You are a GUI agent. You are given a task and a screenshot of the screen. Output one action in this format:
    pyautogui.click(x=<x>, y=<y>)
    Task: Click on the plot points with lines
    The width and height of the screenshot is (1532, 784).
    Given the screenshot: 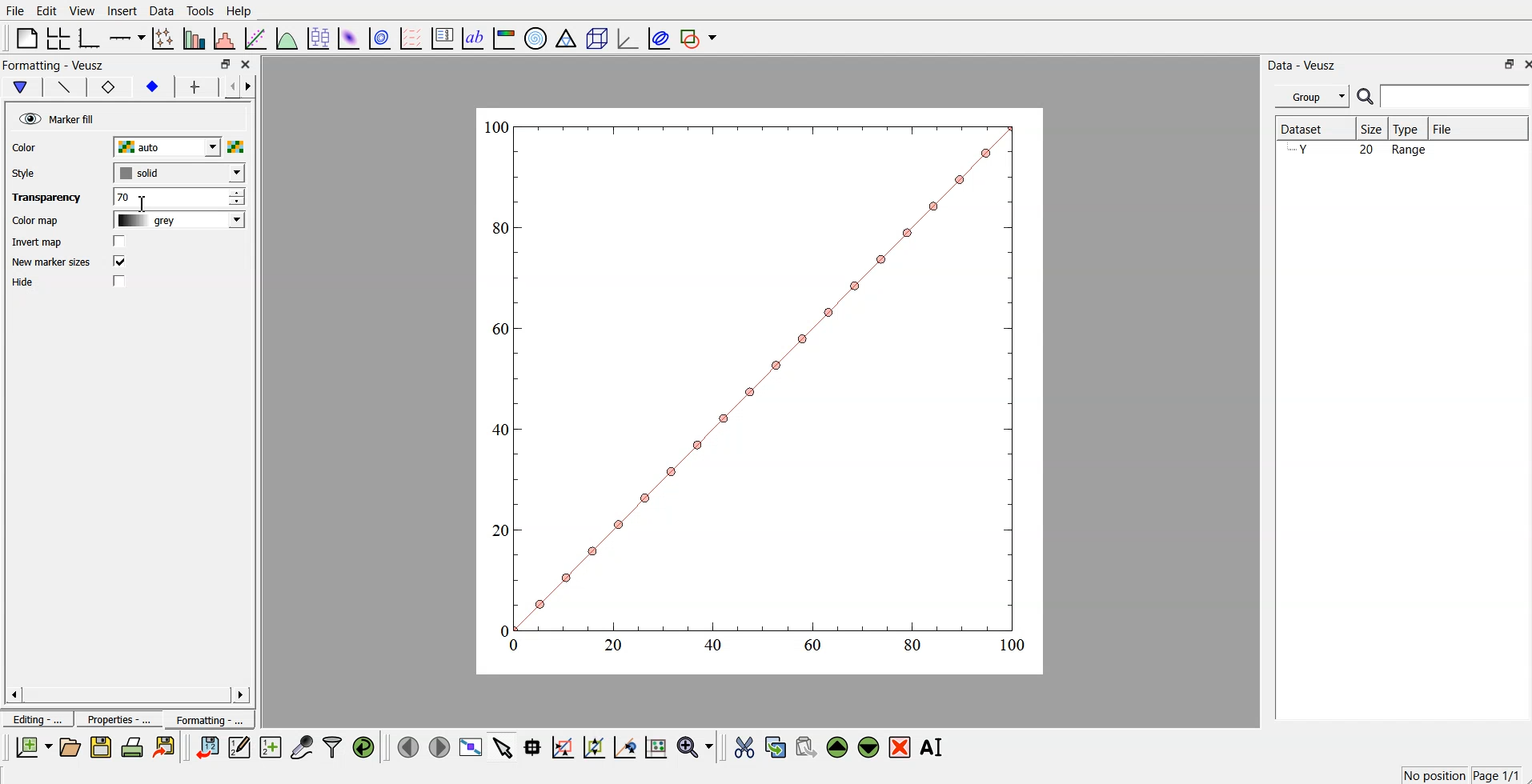 What is the action you would take?
    pyautogui.click(x=164, y=38)
    